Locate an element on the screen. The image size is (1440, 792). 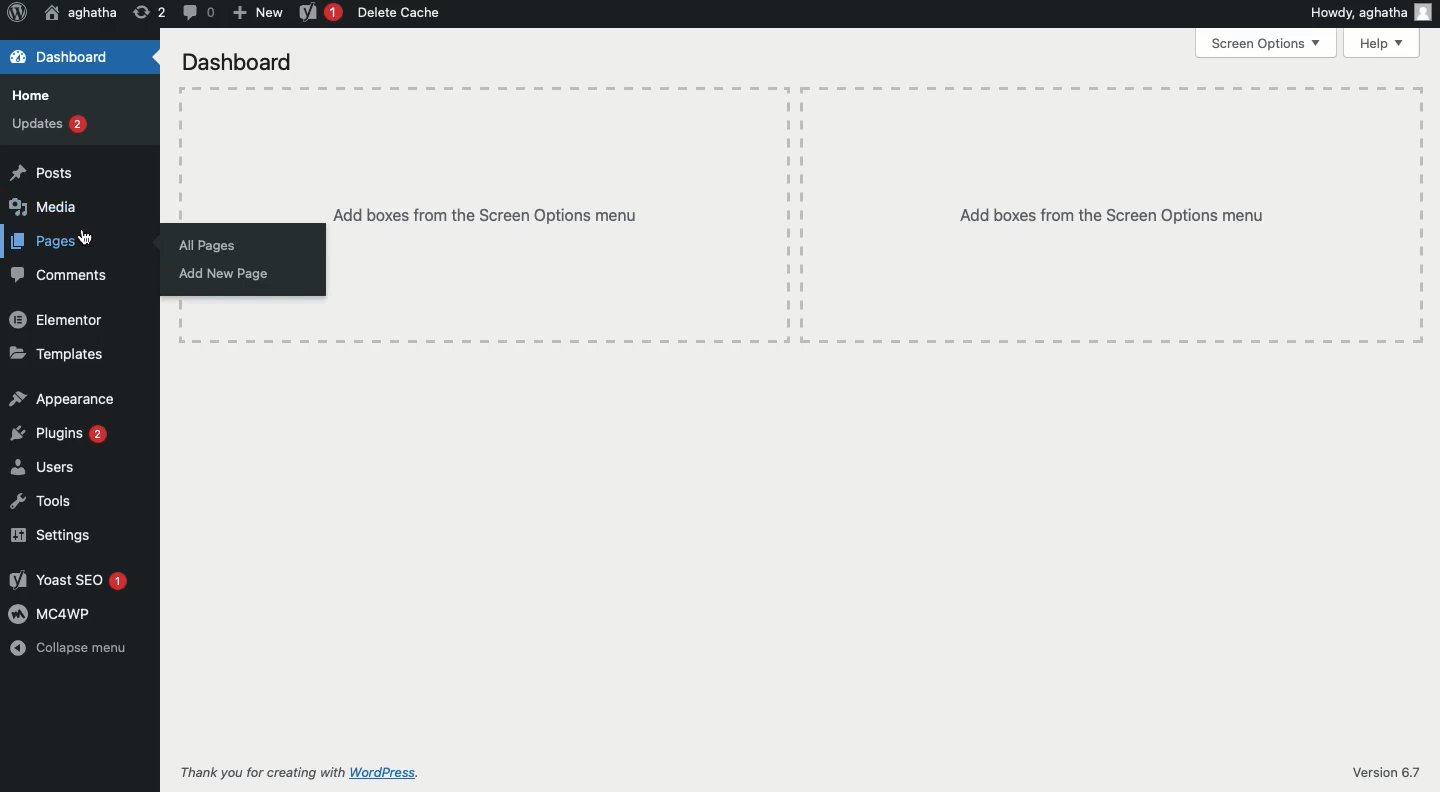
User is located at coordinates (80, 13).